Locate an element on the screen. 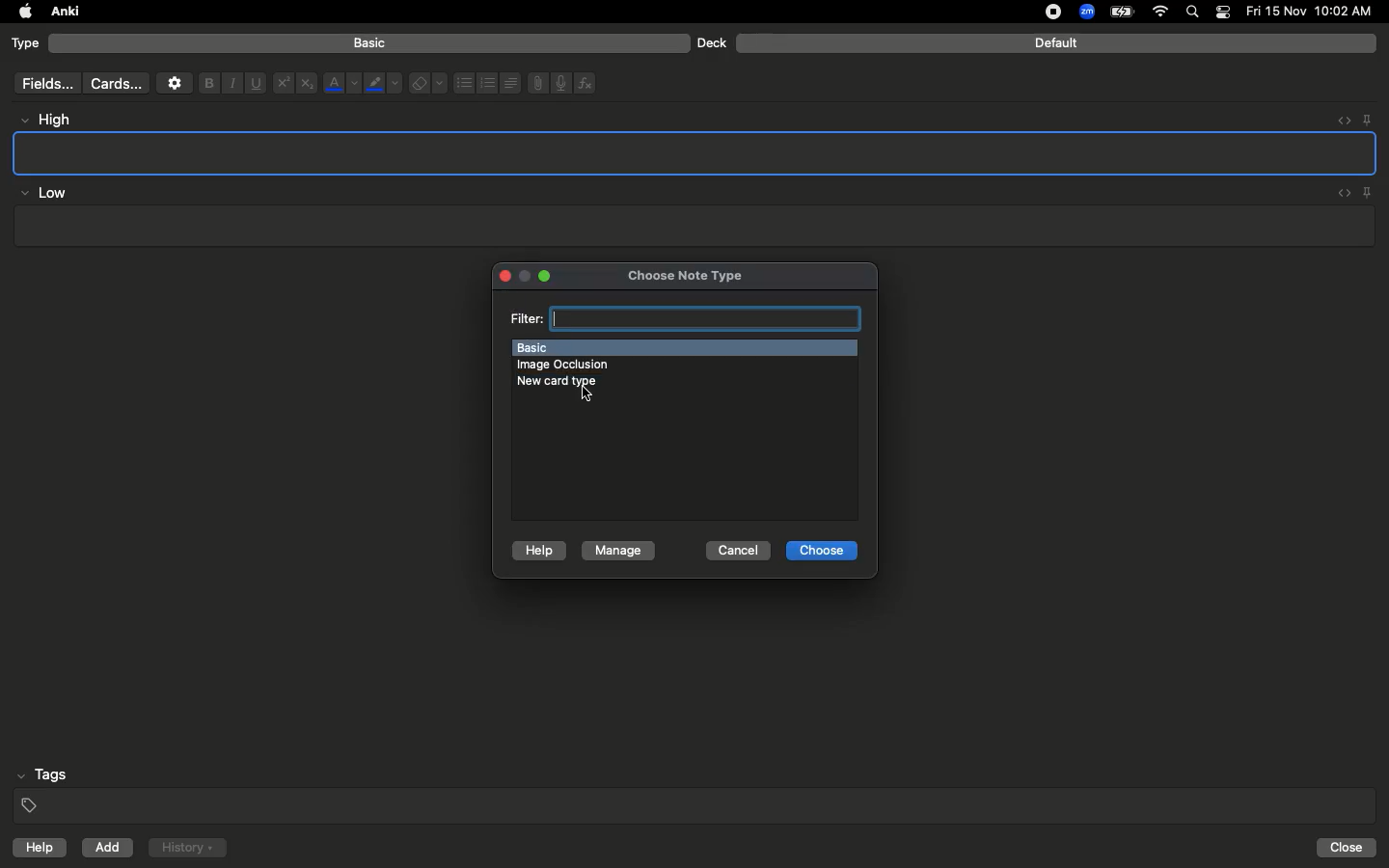 This screenshot has height=868, width=1389. History is located at coordinates (187, 848).